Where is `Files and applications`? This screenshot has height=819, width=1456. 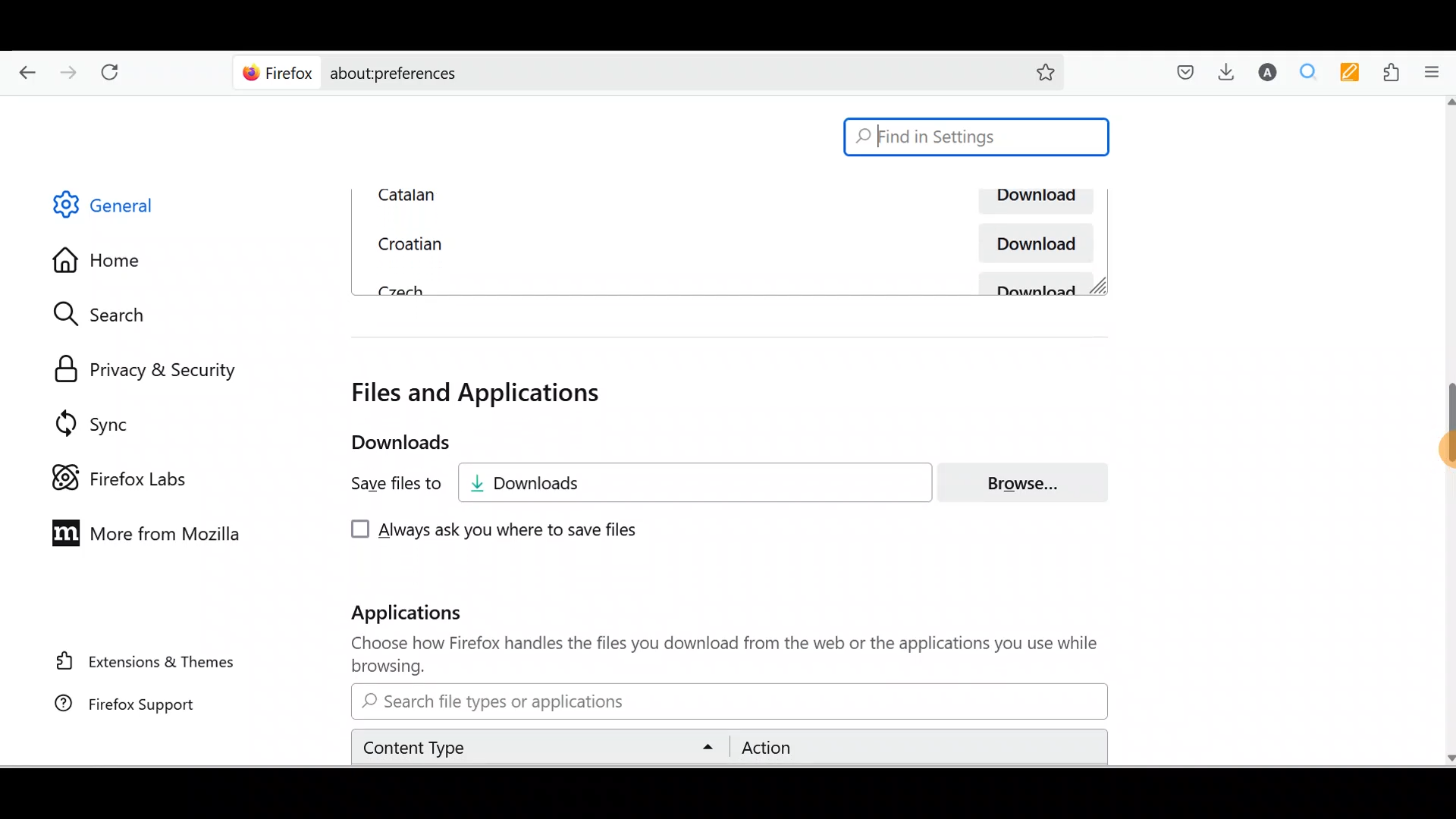
Files and applications is located at coordinates (481, 393).